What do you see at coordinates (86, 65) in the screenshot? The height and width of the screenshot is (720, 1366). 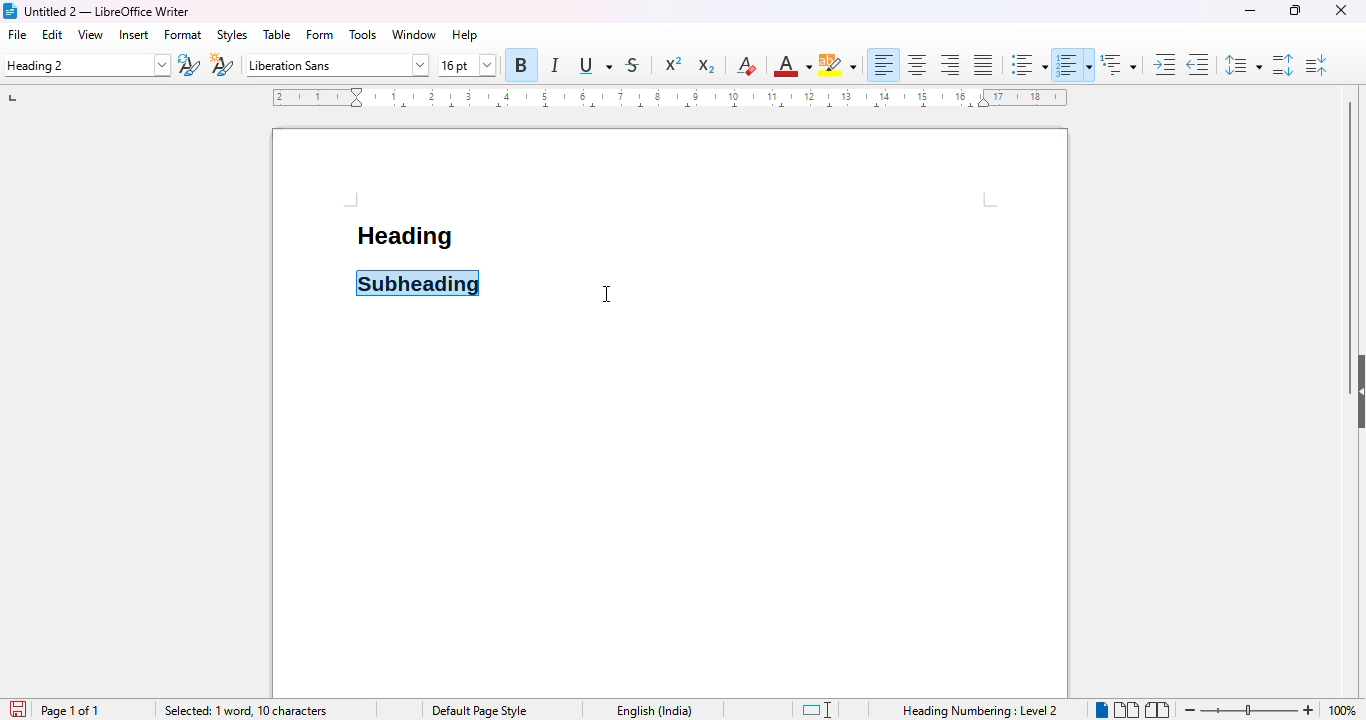 I see `set paragraph style` at bounding box center [86, 65].